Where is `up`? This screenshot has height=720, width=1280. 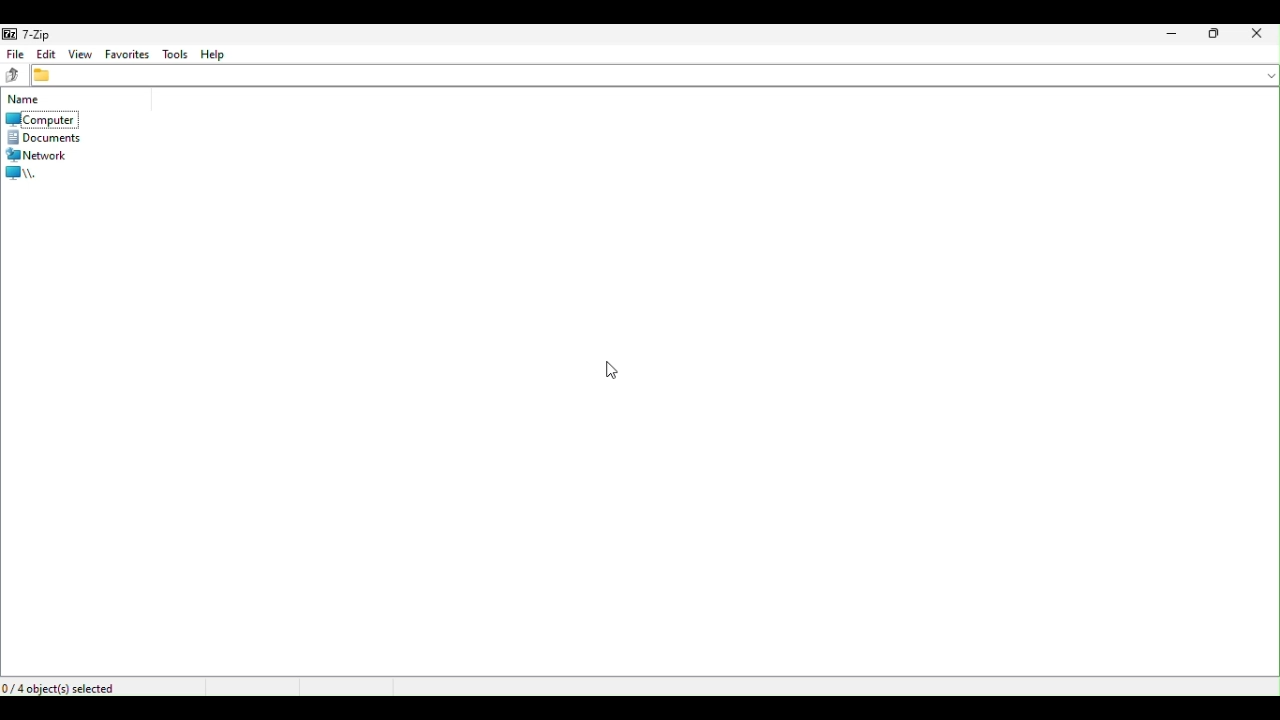 up is located at coordinates (13, 76).